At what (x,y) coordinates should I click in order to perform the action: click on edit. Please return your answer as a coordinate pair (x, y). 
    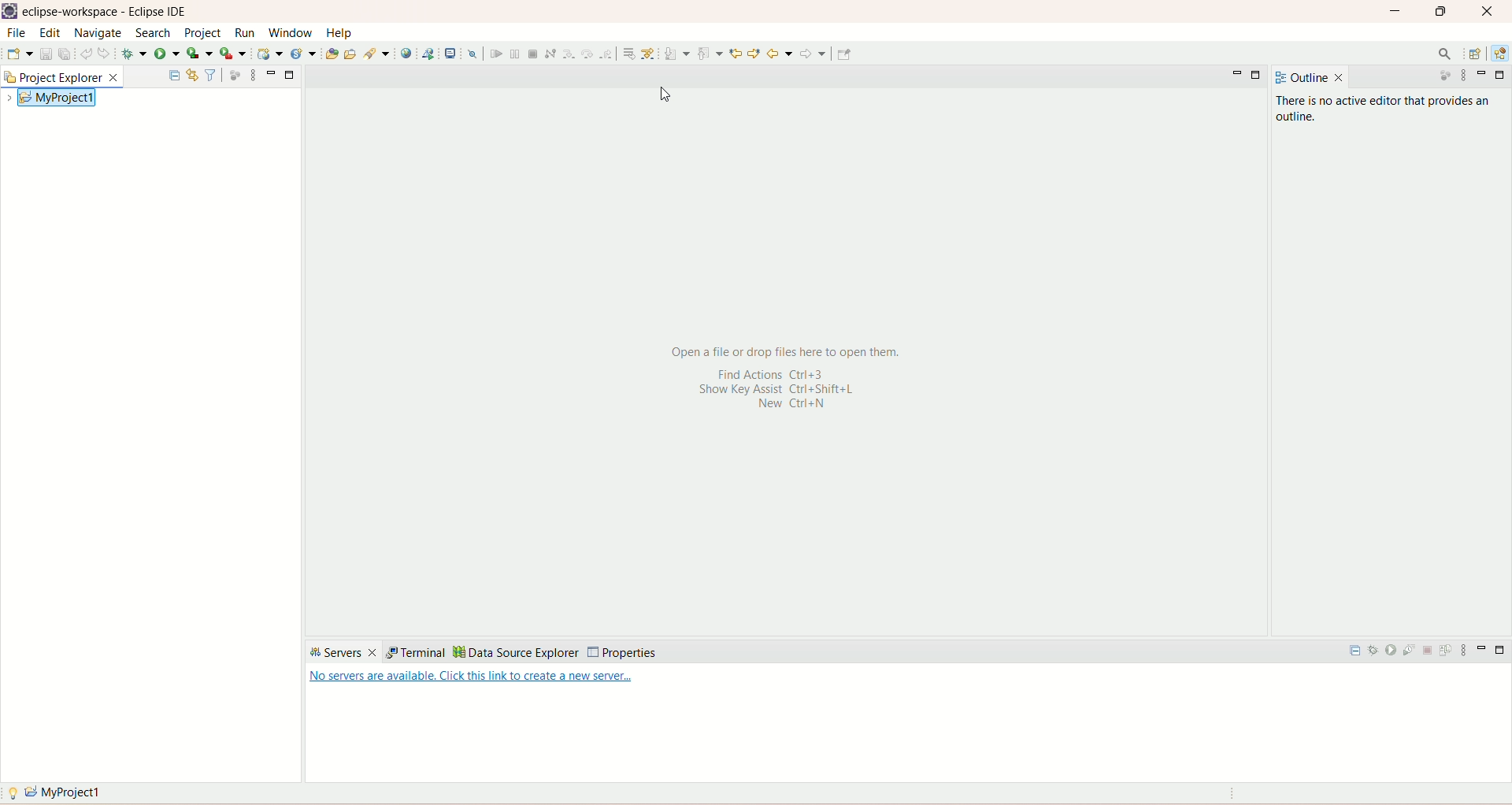
    Looking at the image, I should click on (48, 33).